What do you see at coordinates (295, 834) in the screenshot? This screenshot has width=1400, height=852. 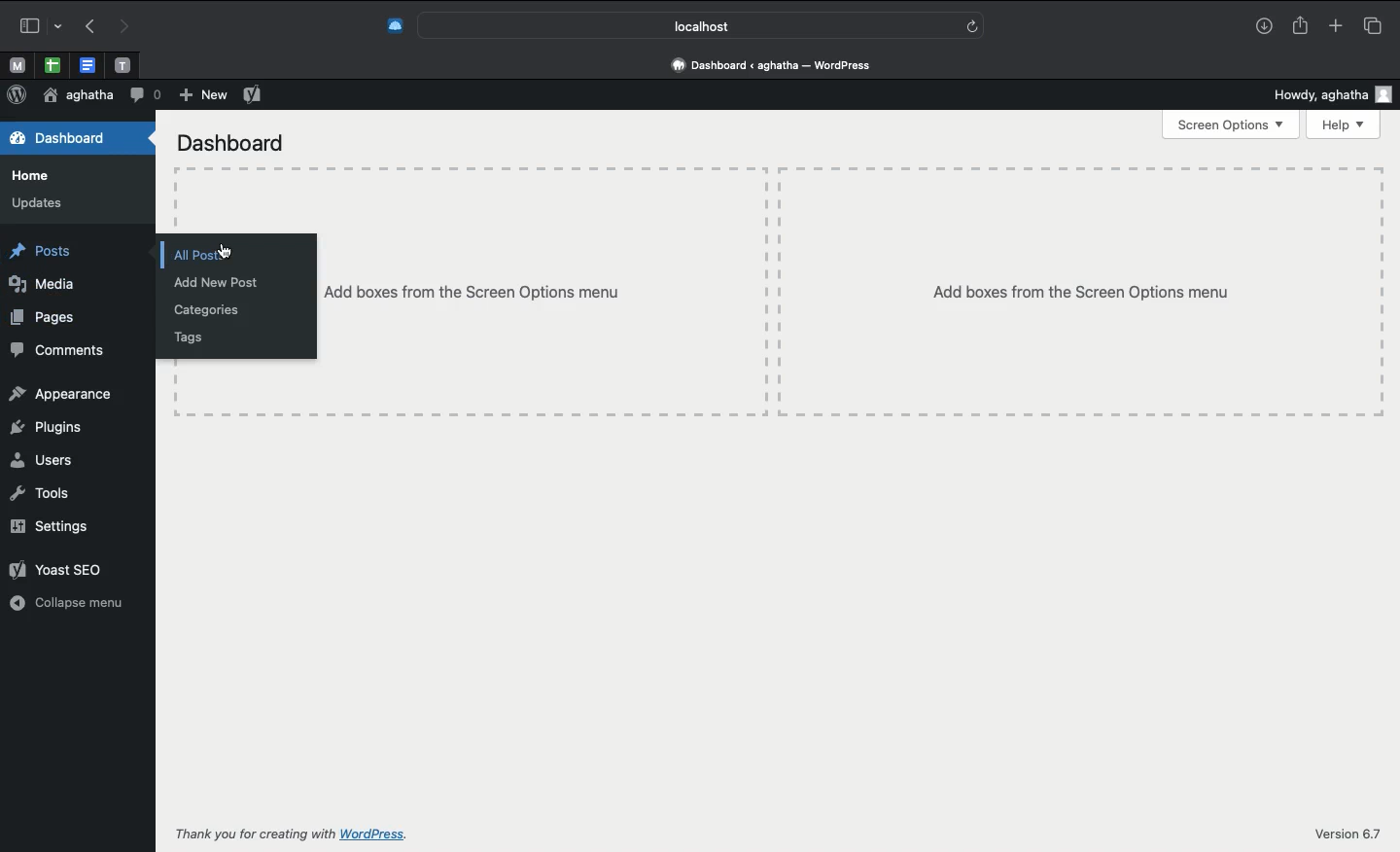 I see `Thank you for creating with WordPress` at bounding box center [295, 834].